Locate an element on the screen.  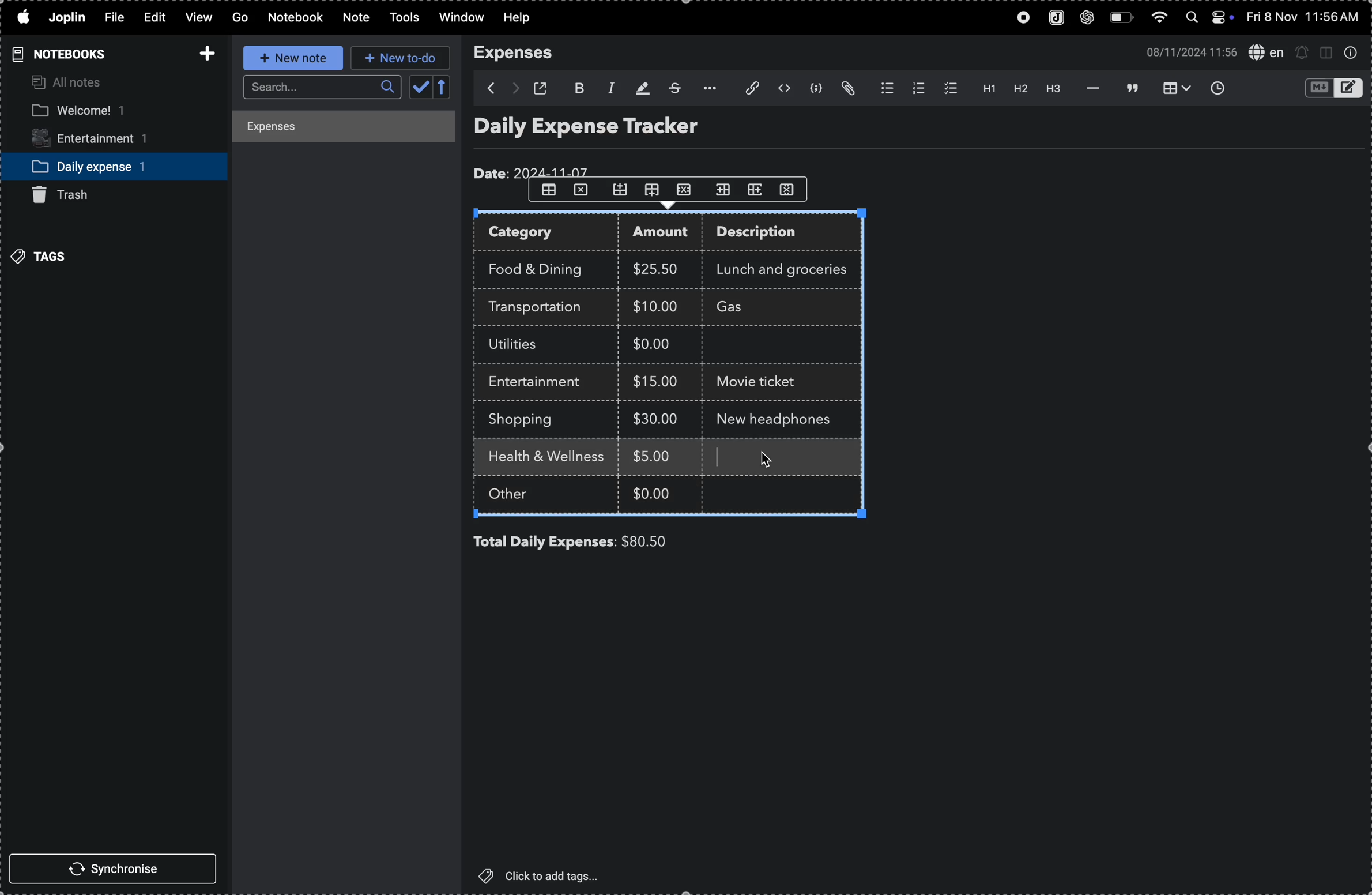
note is located at coordinates (353, 18).